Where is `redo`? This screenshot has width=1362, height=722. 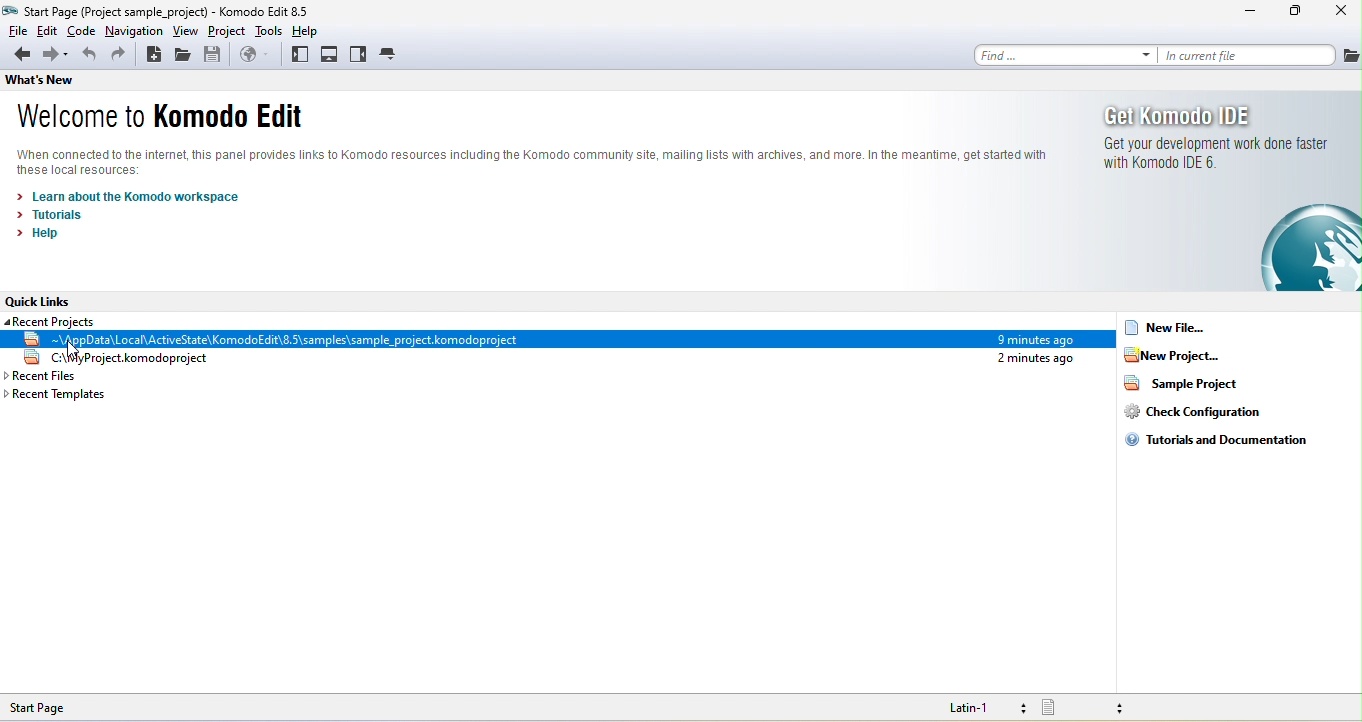 redo is located at coordinates (119, 56).